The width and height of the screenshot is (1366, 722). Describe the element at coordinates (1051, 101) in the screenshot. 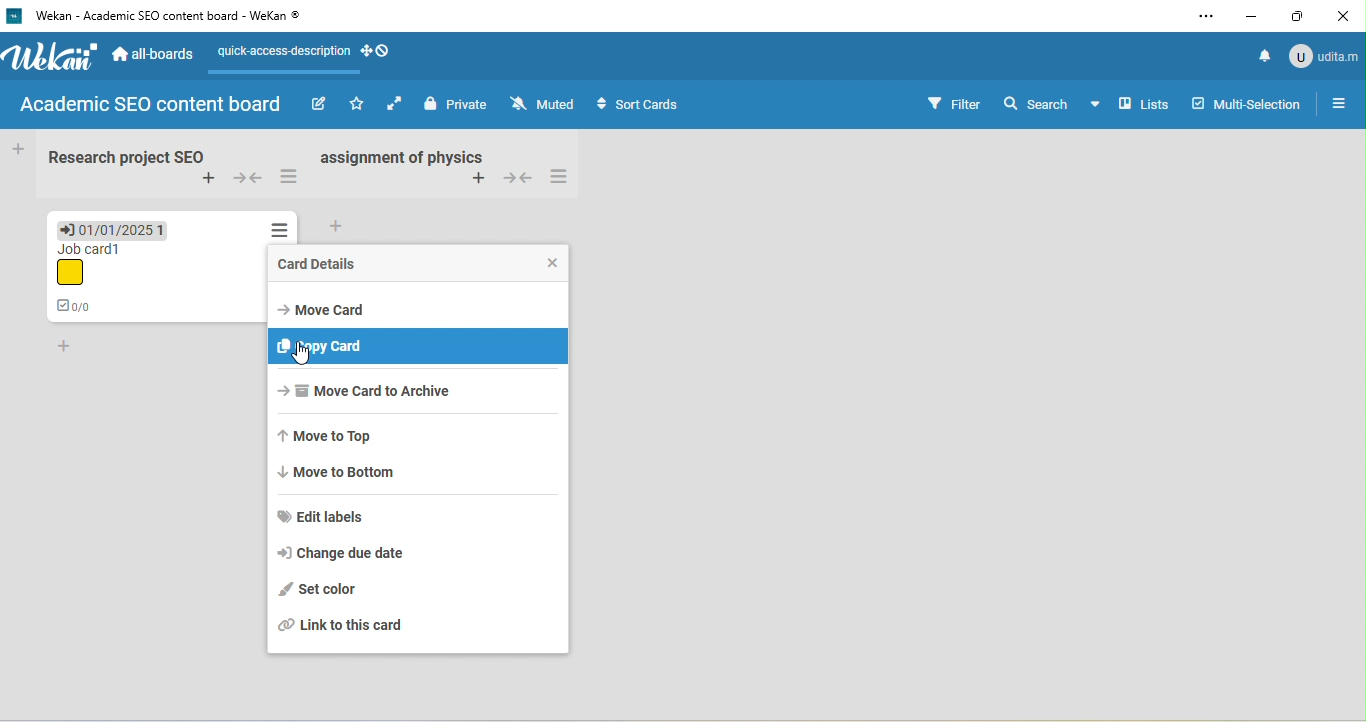

I see `search` at that location.